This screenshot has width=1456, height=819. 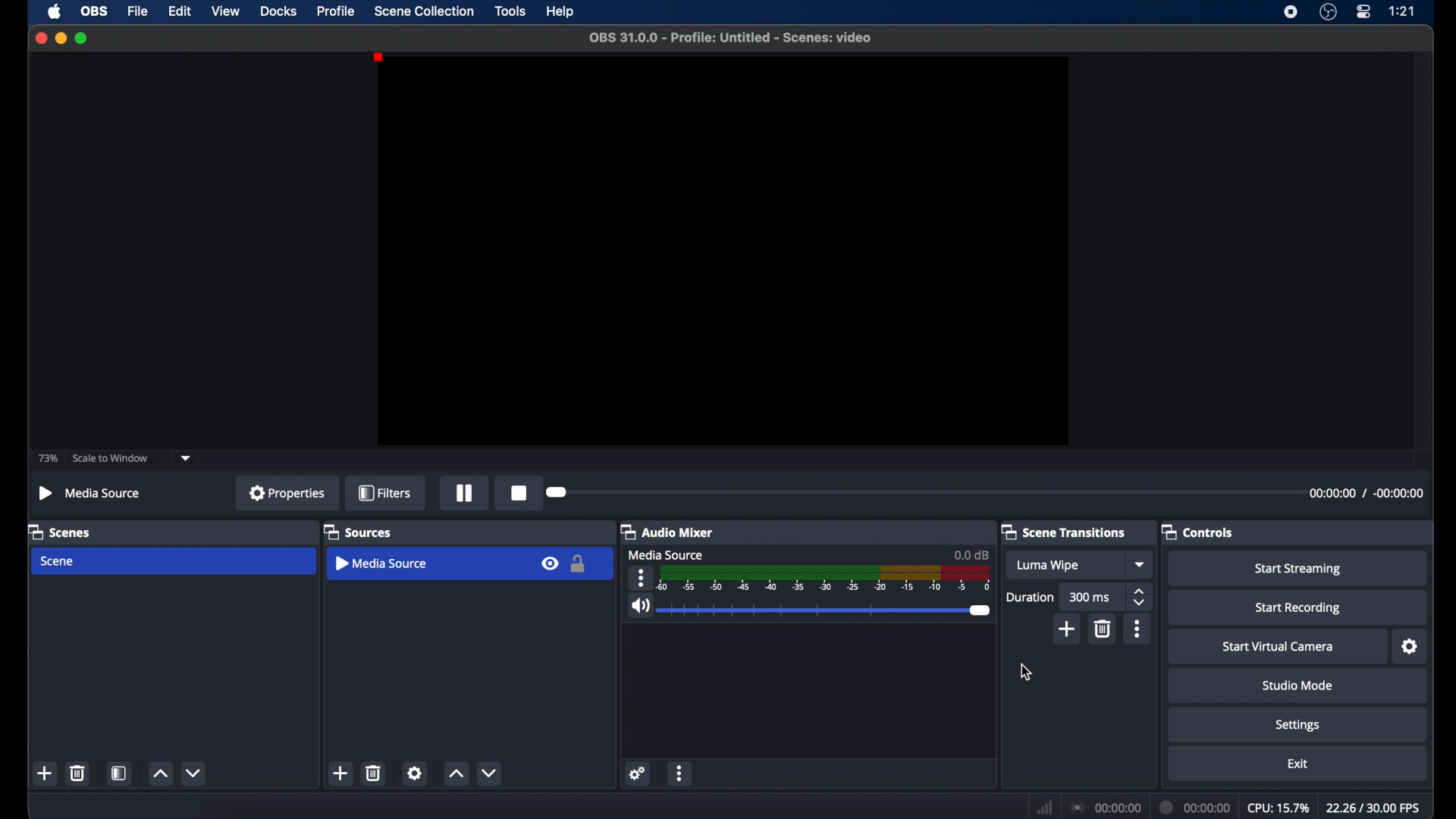 What do you see at coordinates (1297, 724) in the screenshot?
I see `settings` at bounding box center [1297, 724].